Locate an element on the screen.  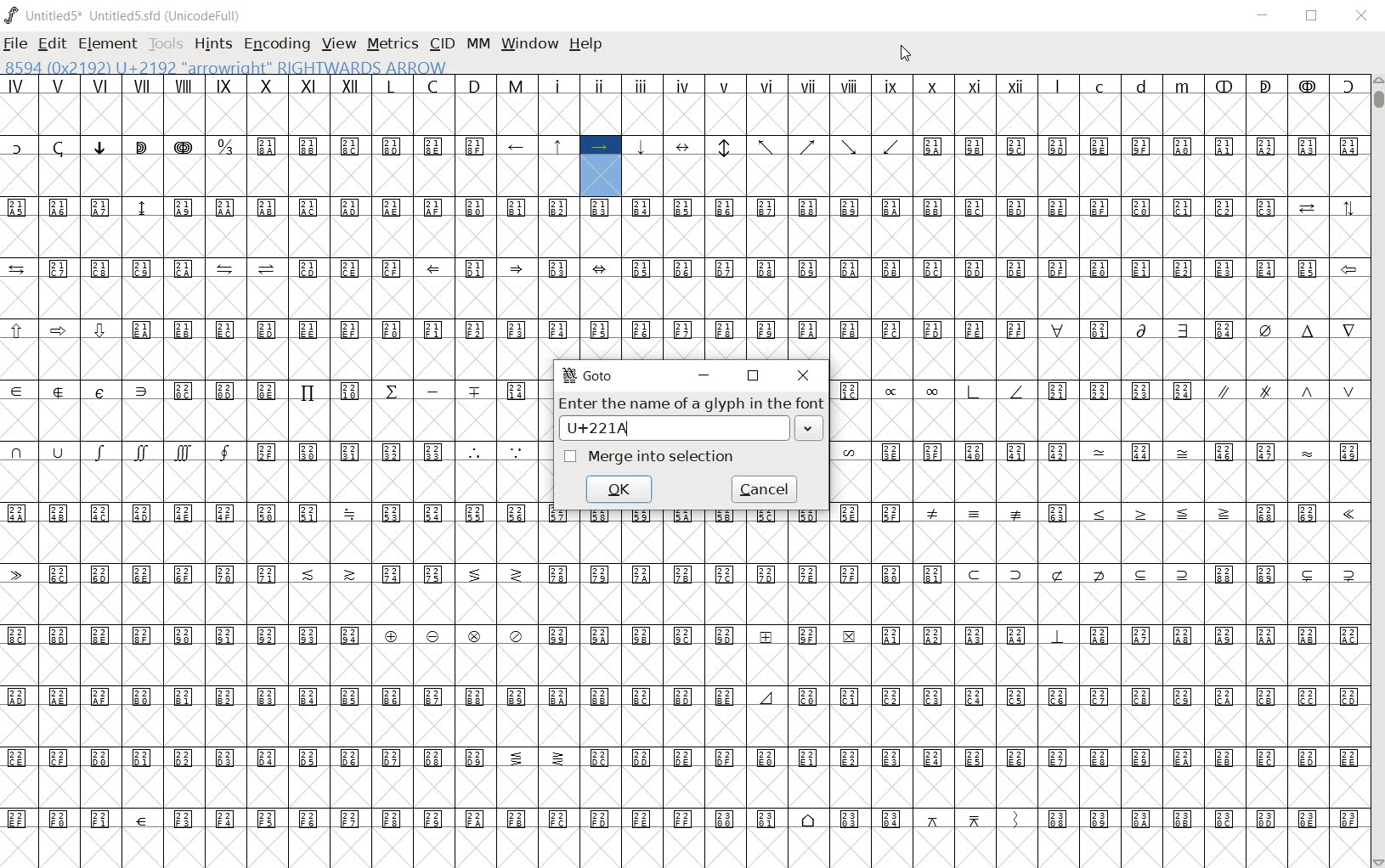
merge into selection is located at coordinates (654, 456).